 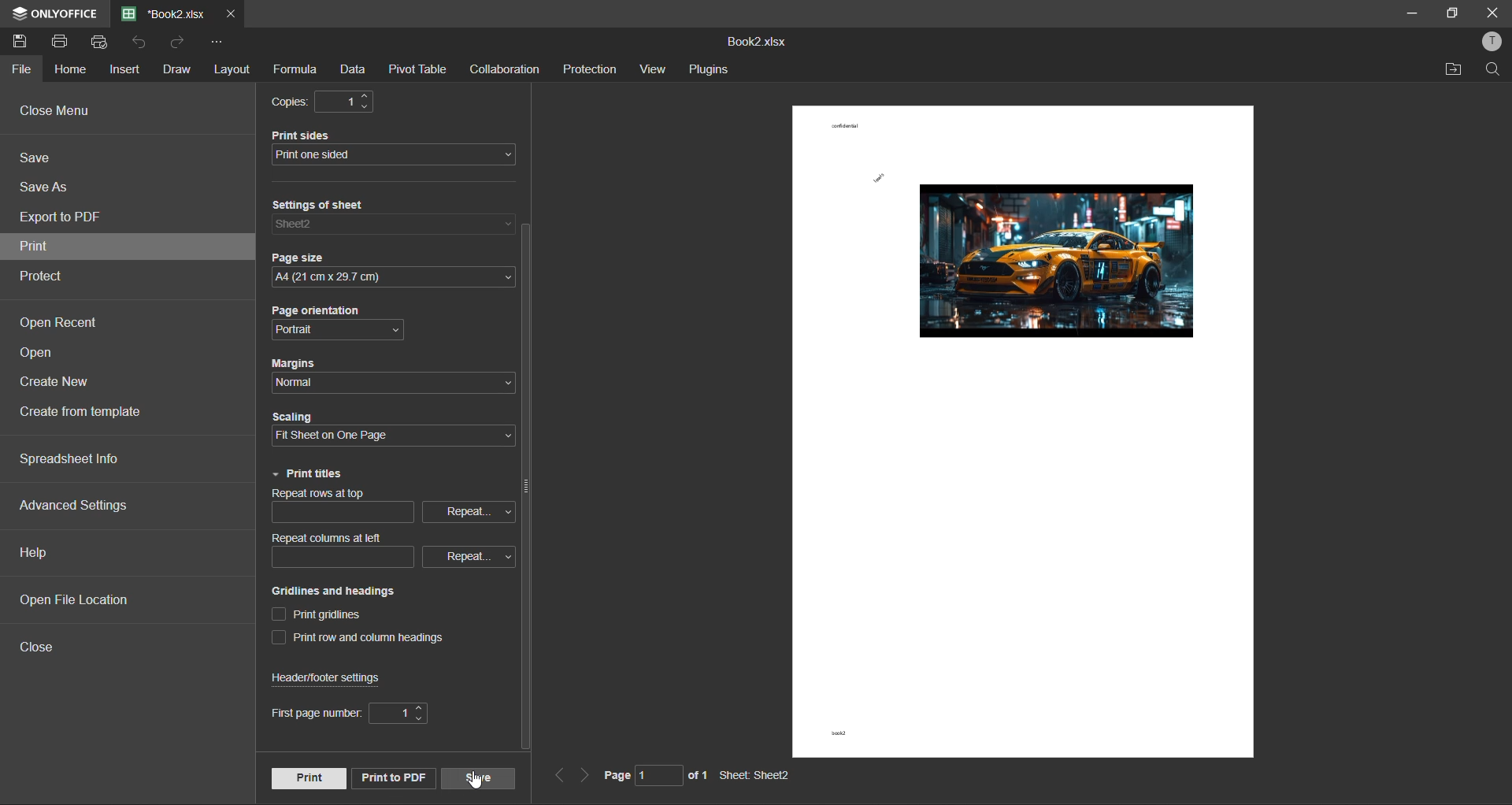 What do you see at coordinates (318, 616) in the screenshot?
I see `print gridlines` at bounding box center [318, 616].